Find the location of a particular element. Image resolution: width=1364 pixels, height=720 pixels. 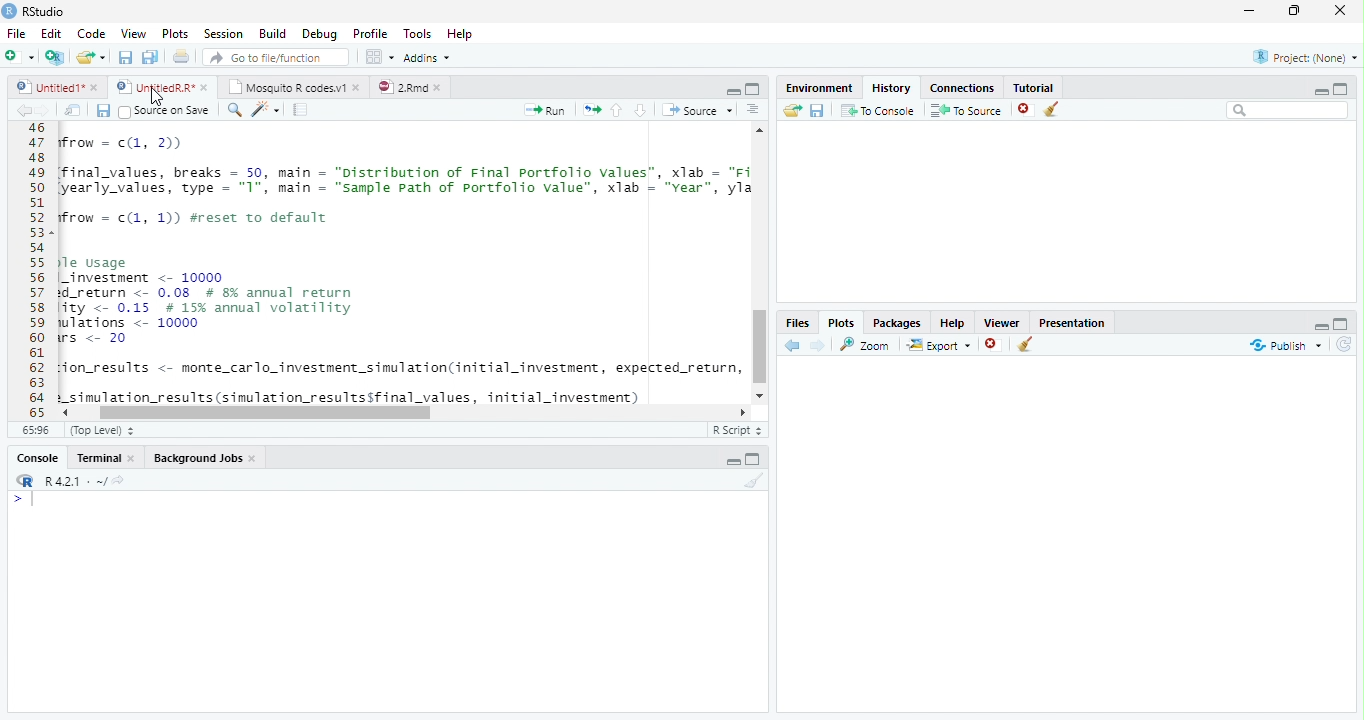

Save current file is located at coordinates (124, 57).